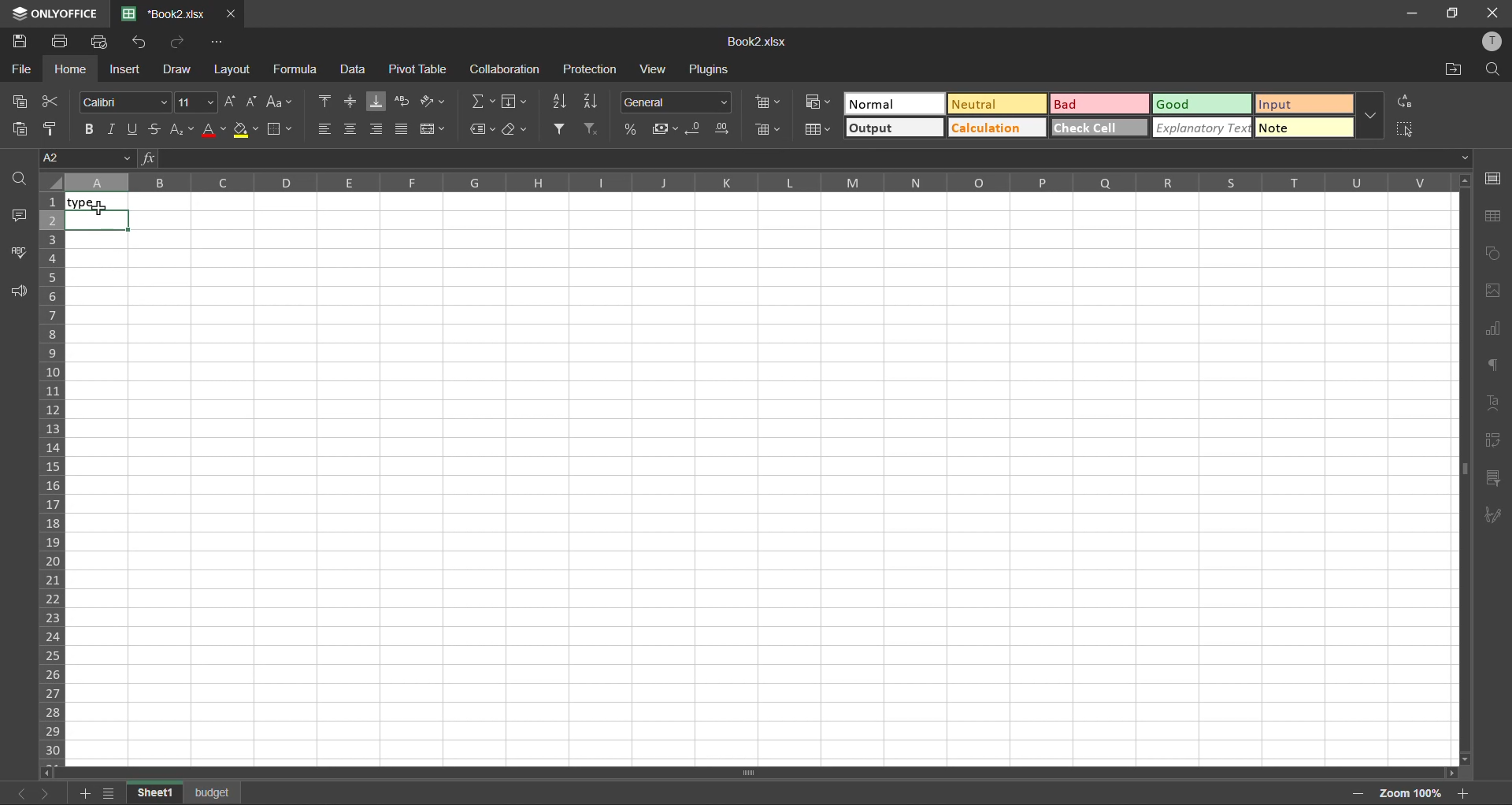 This screenshot has height=805, width=1512. I want to click on layout, so click(235, 71).